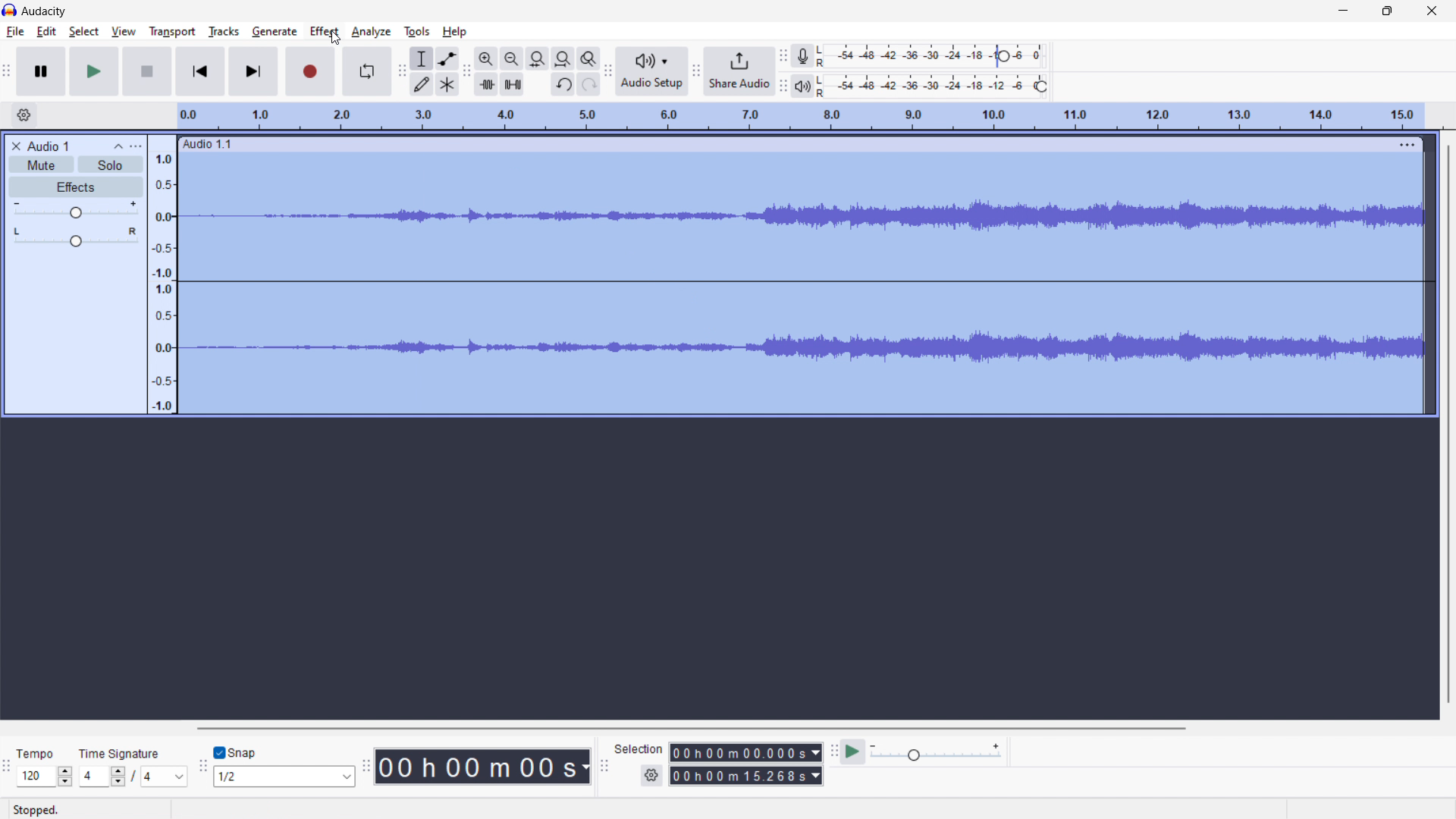 The width and height of the screenshot is (1456, 819). I want to click on fit project to width, so click(563, 58).